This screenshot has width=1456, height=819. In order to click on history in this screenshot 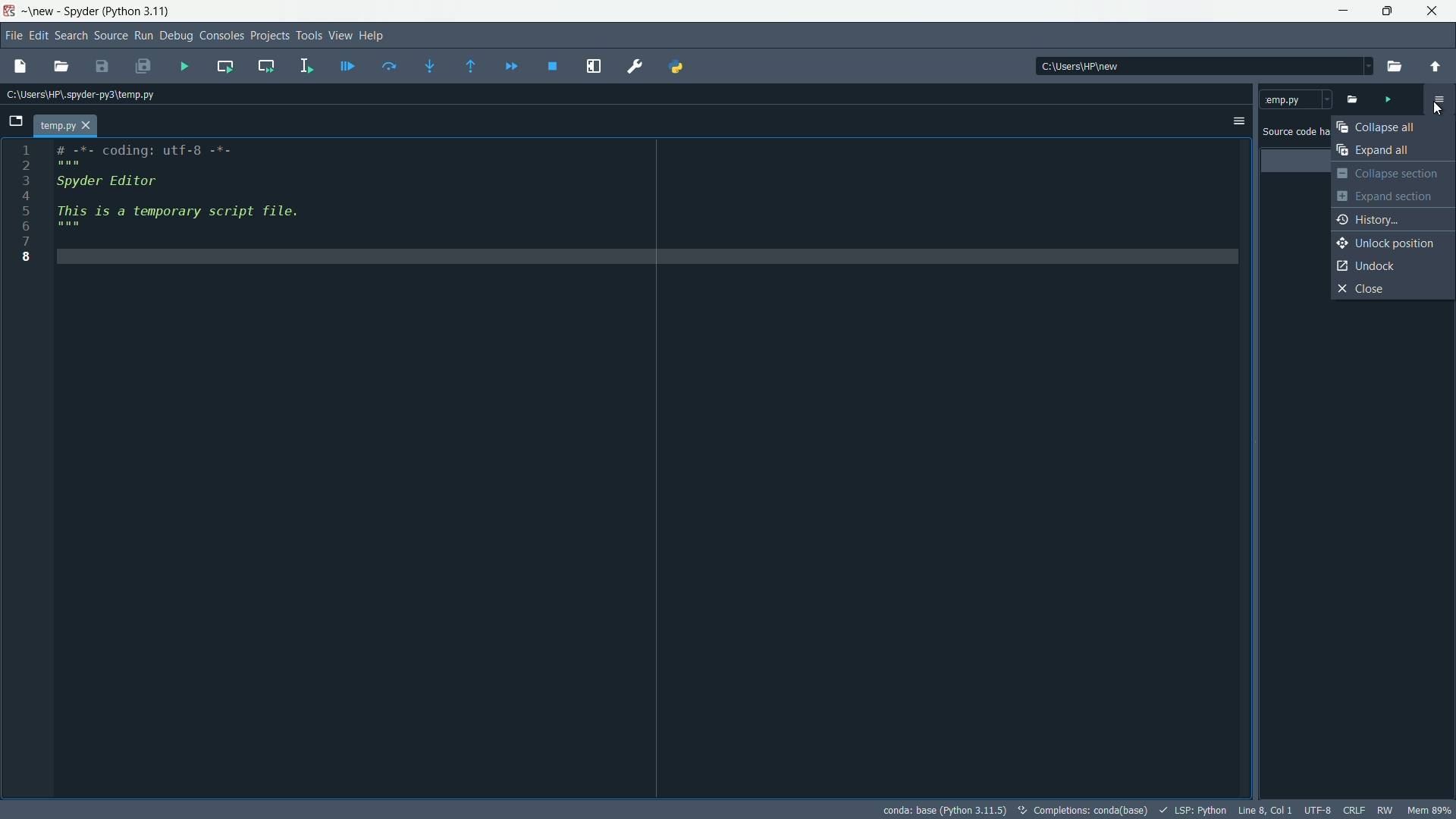, I will do `click(1393, 219)`.